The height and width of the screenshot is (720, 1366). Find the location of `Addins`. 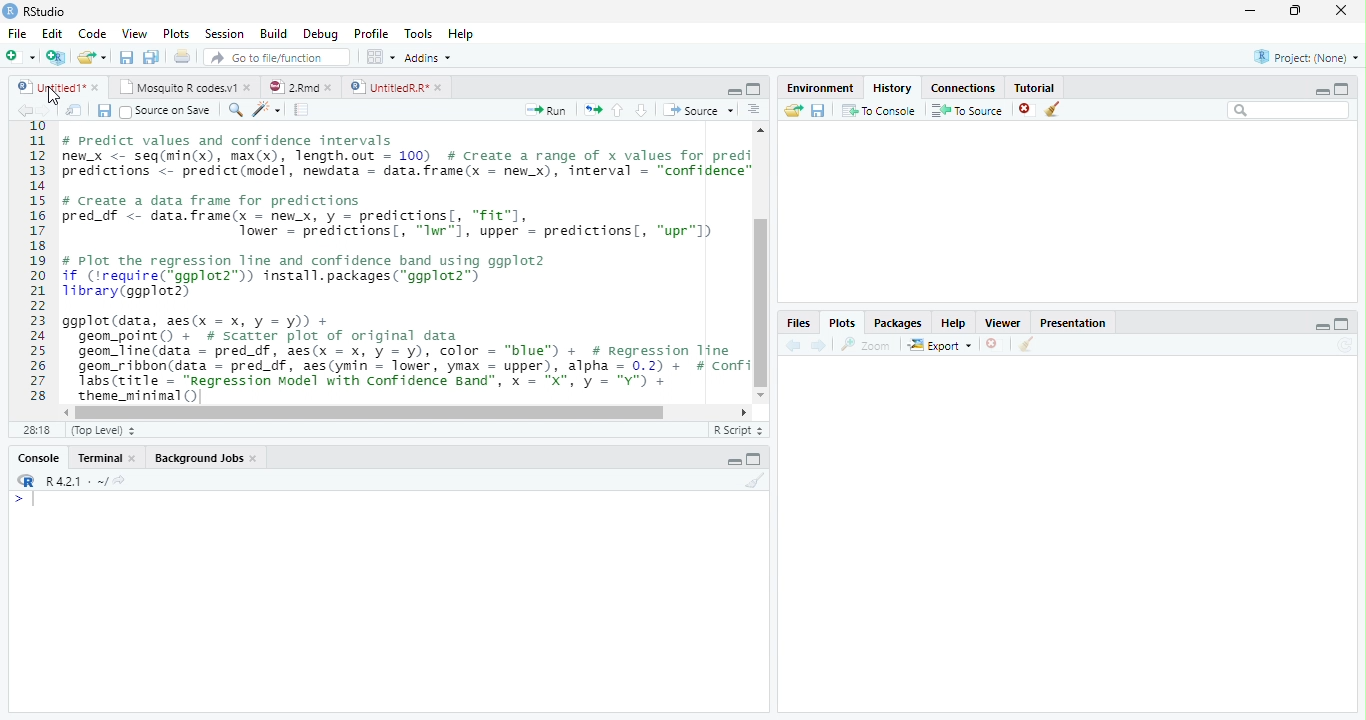

Addins is located at coordinates (429, 57).